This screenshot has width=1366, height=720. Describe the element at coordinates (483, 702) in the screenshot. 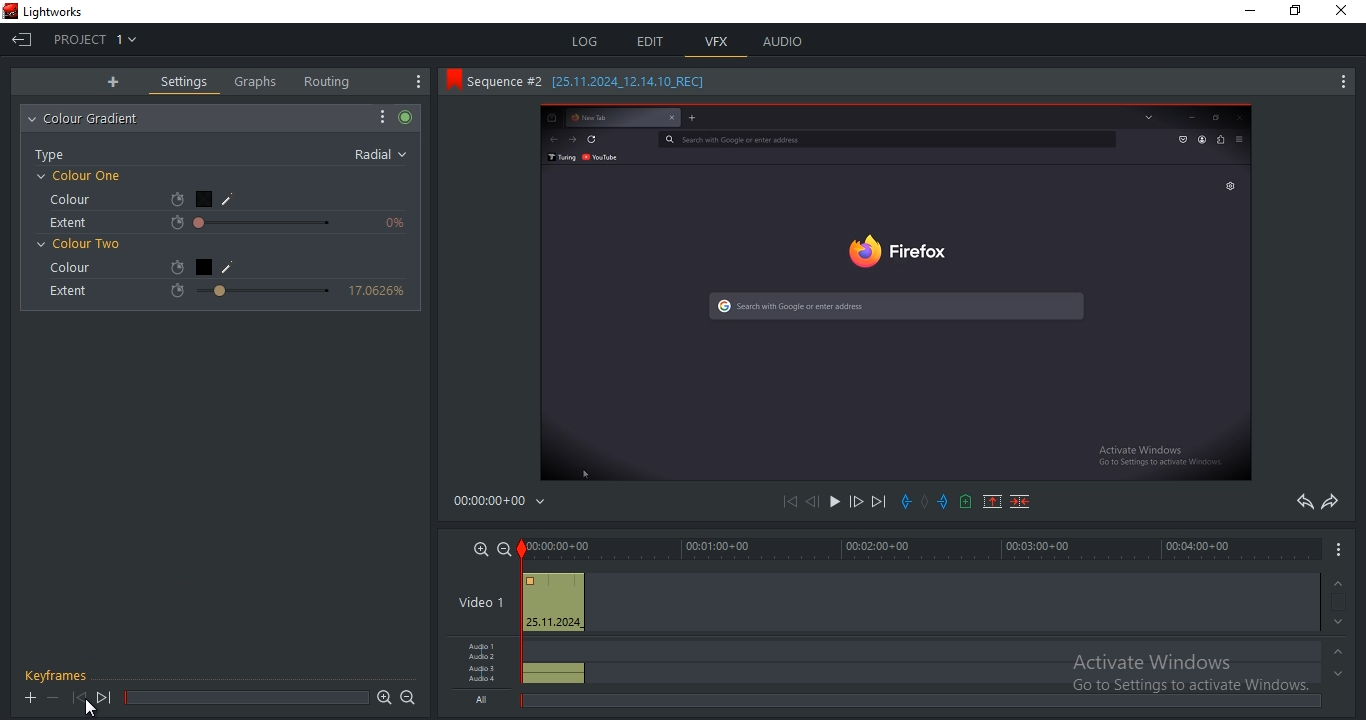

I see `All` at that location.